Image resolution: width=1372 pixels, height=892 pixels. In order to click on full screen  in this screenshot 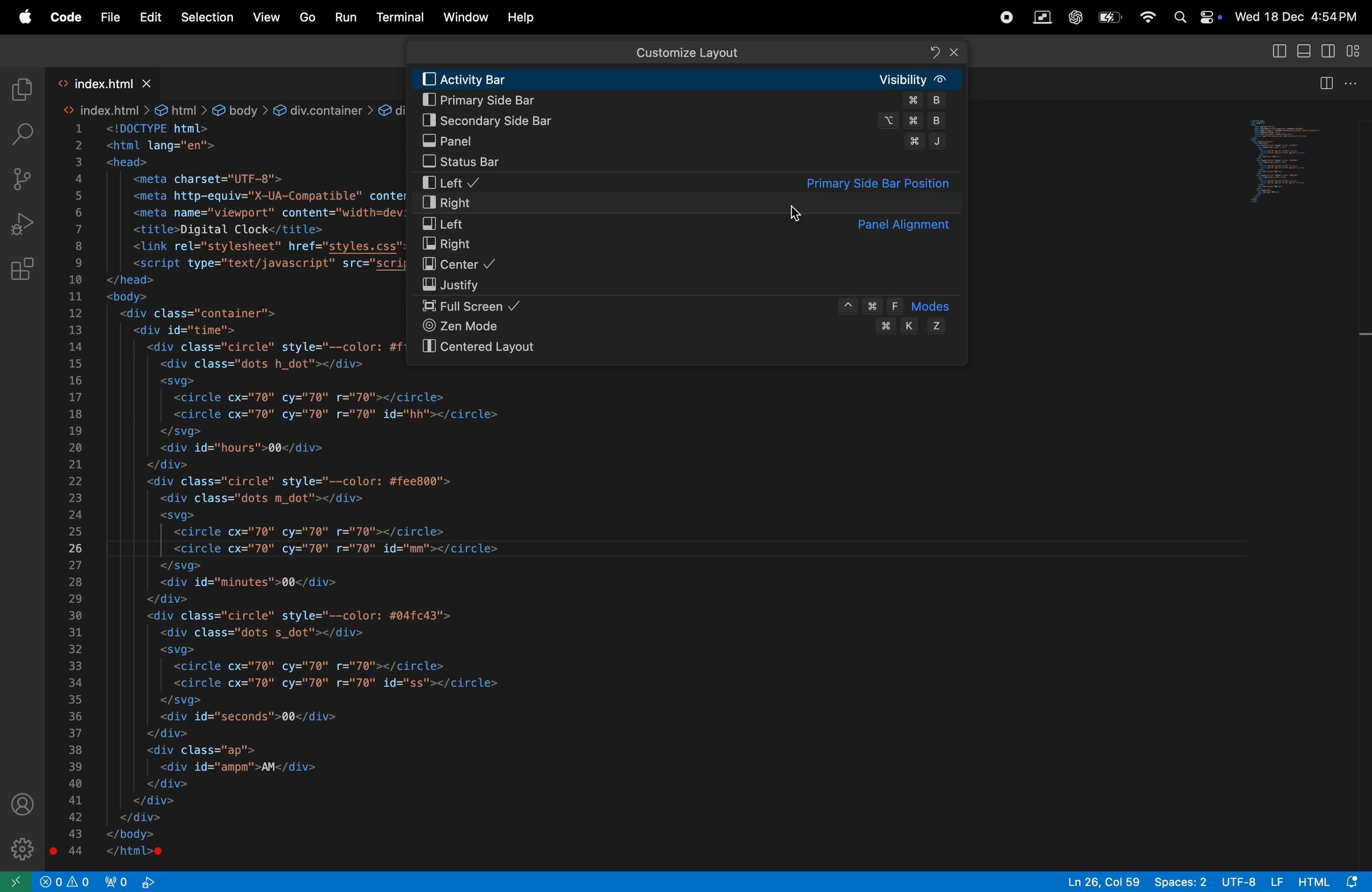, I will do `click(689, 307)`.